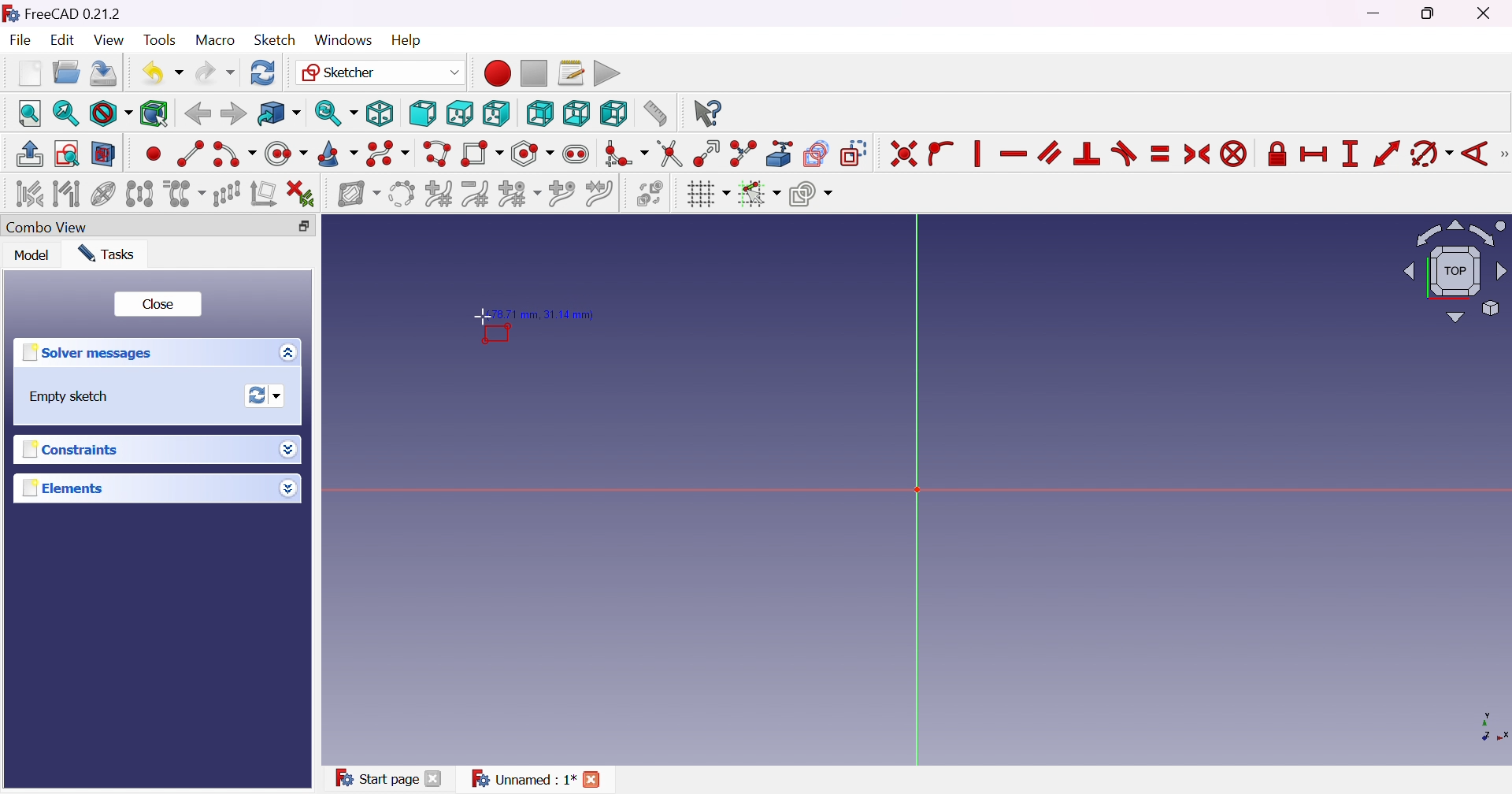 This screenshot has height=794, width=1512. Describe the element at coordinates (291, 449) in the screenshot. I see `More options` at that location.